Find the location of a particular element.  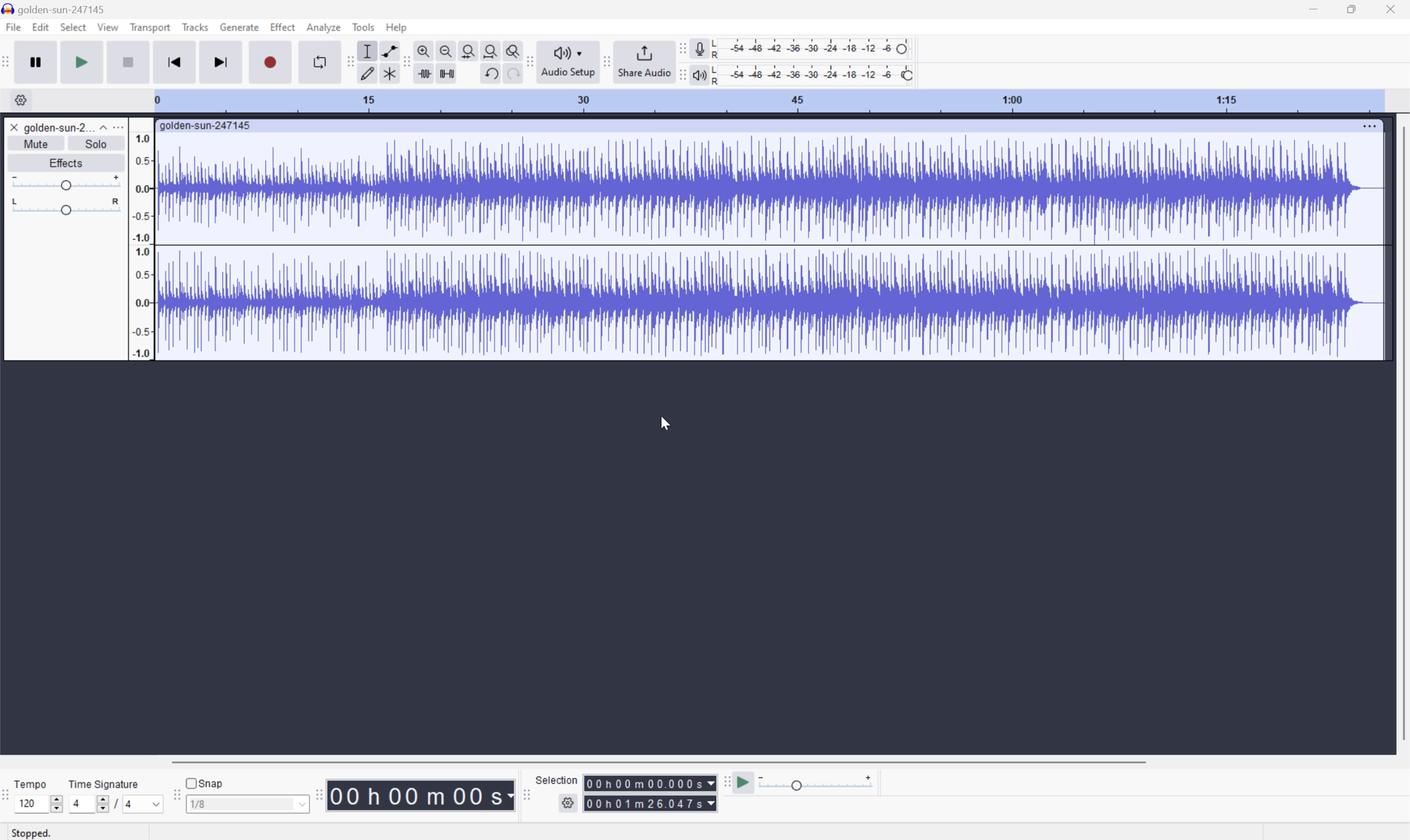

Help is located at coordinates (397, 26).